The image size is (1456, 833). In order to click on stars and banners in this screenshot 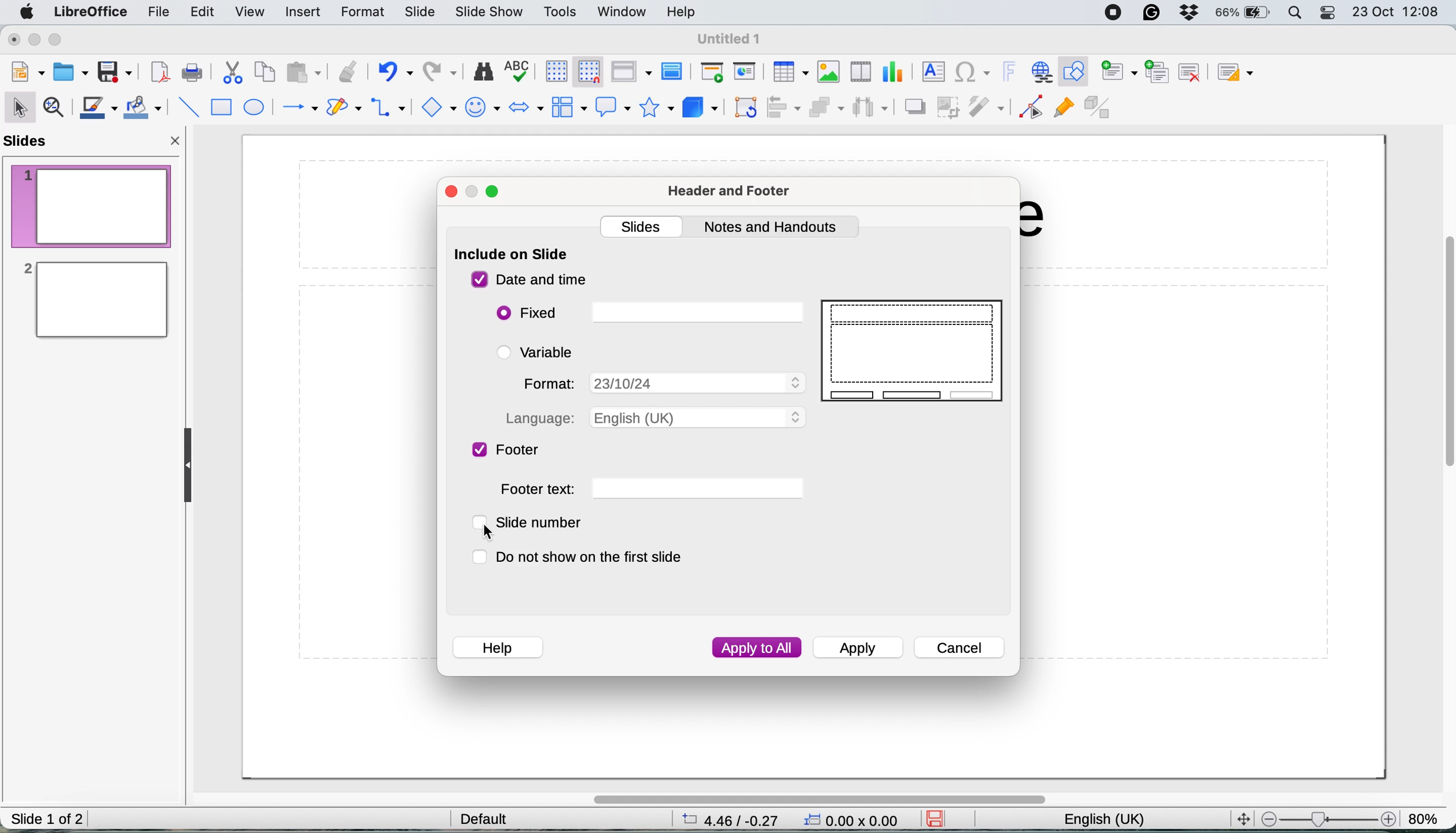, I will do `click(655, 108)`.